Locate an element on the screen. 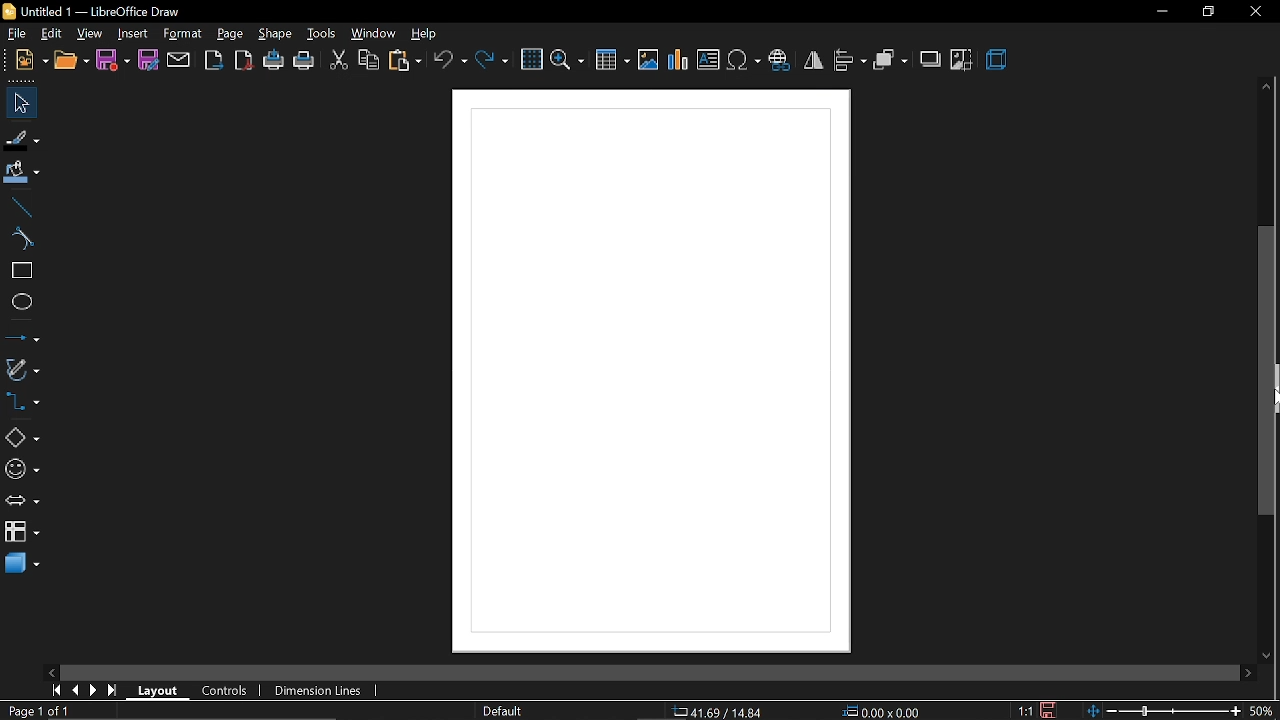  co-ordinate is located at coordinates (718, 712).